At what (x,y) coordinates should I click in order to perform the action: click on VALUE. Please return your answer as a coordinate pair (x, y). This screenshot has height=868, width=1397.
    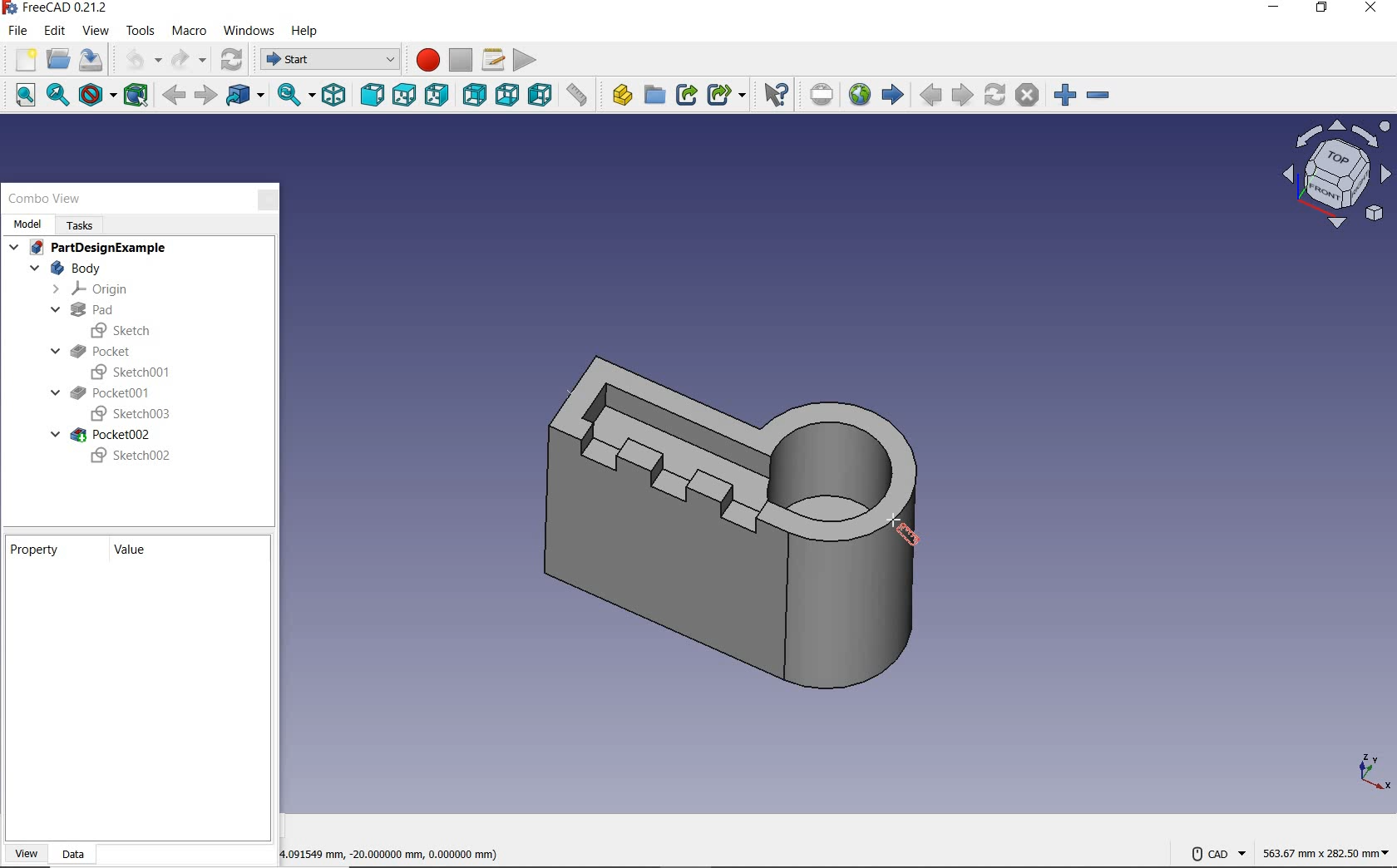
    Looking at the image, I should click on (134, 551).